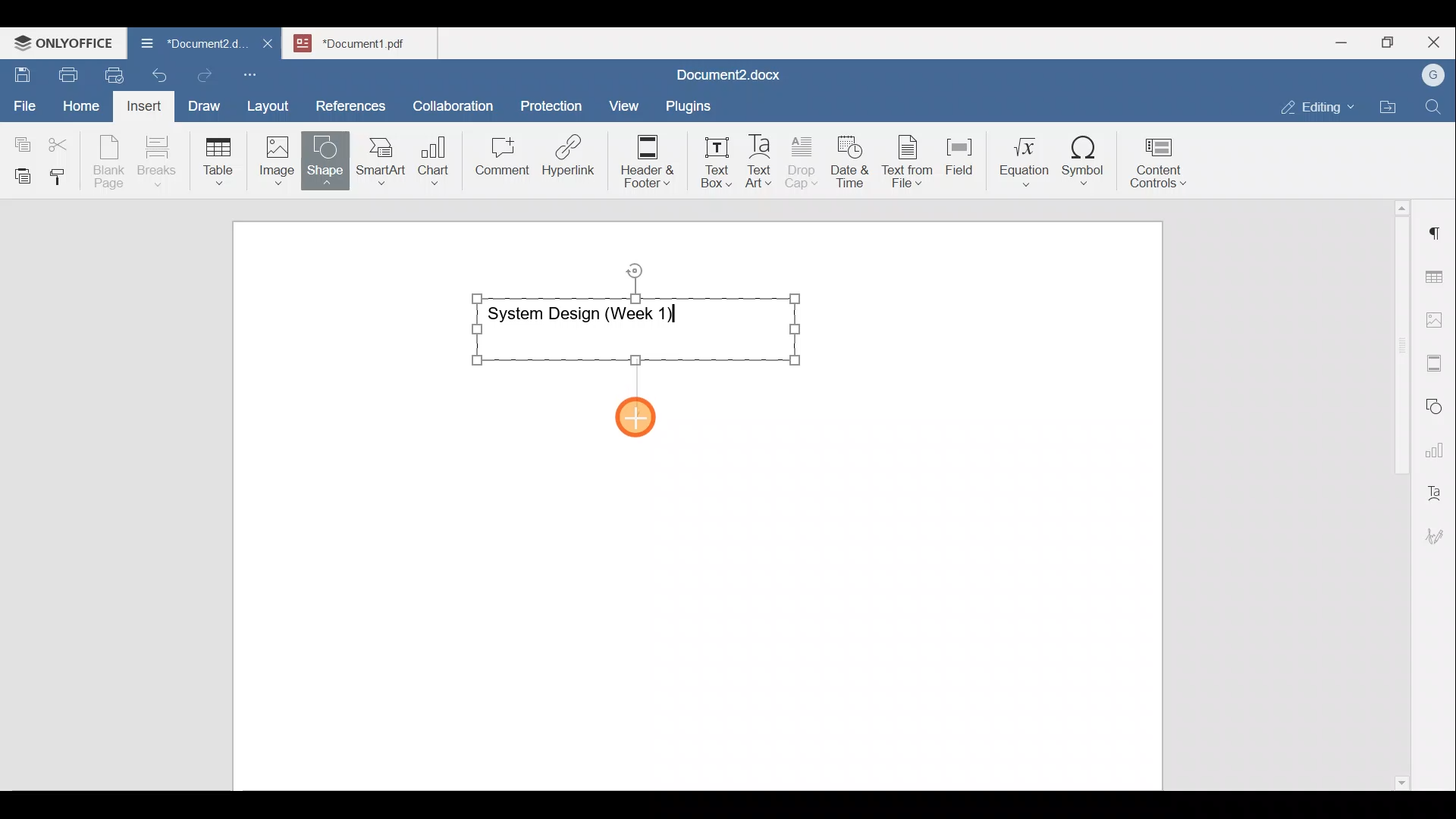  Describe the element at coordinates (760, 162) in the screenshot. I see `Text Art` at that location.